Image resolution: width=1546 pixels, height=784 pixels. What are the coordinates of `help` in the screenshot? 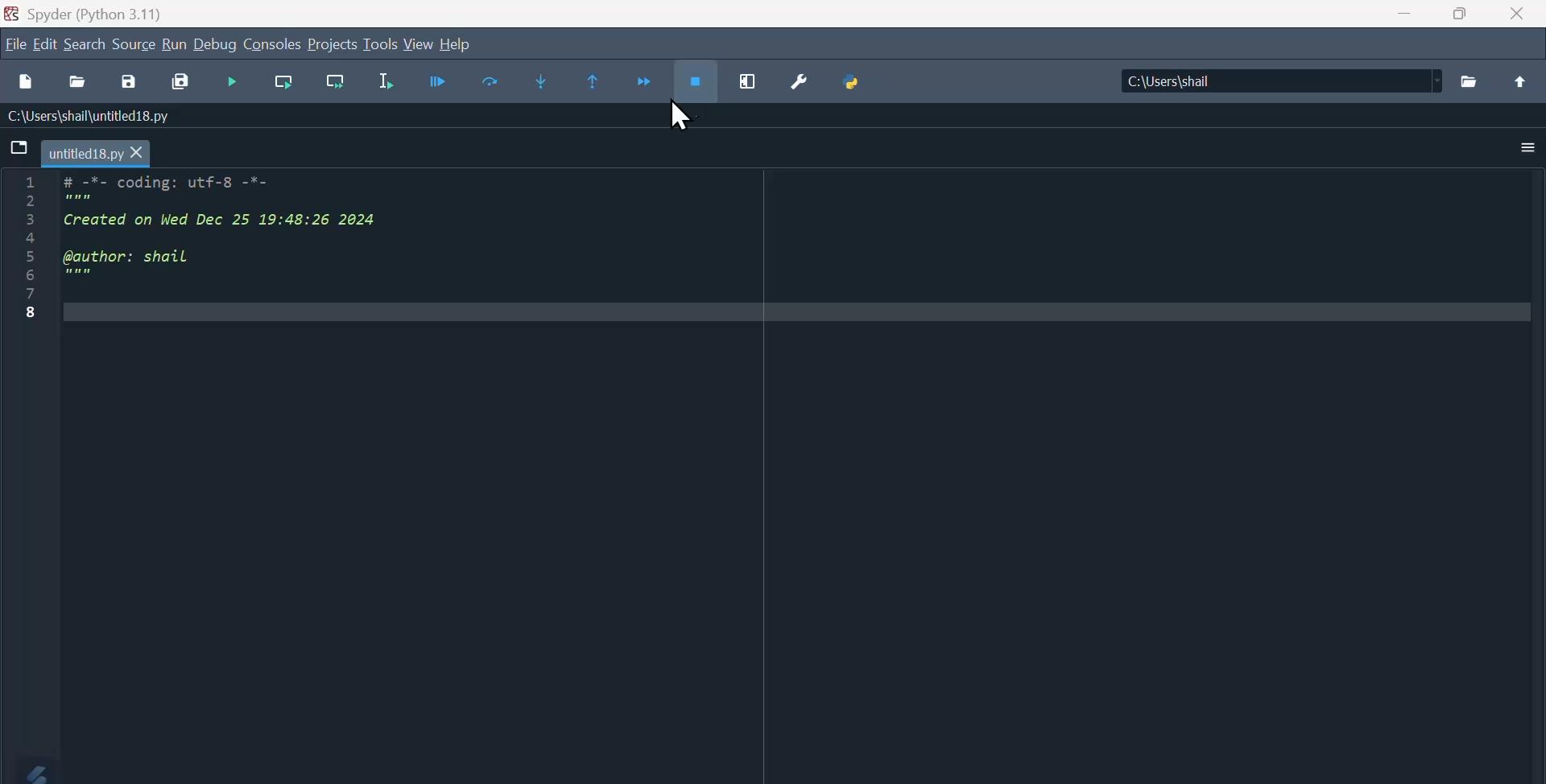 It's located at (465, 42).